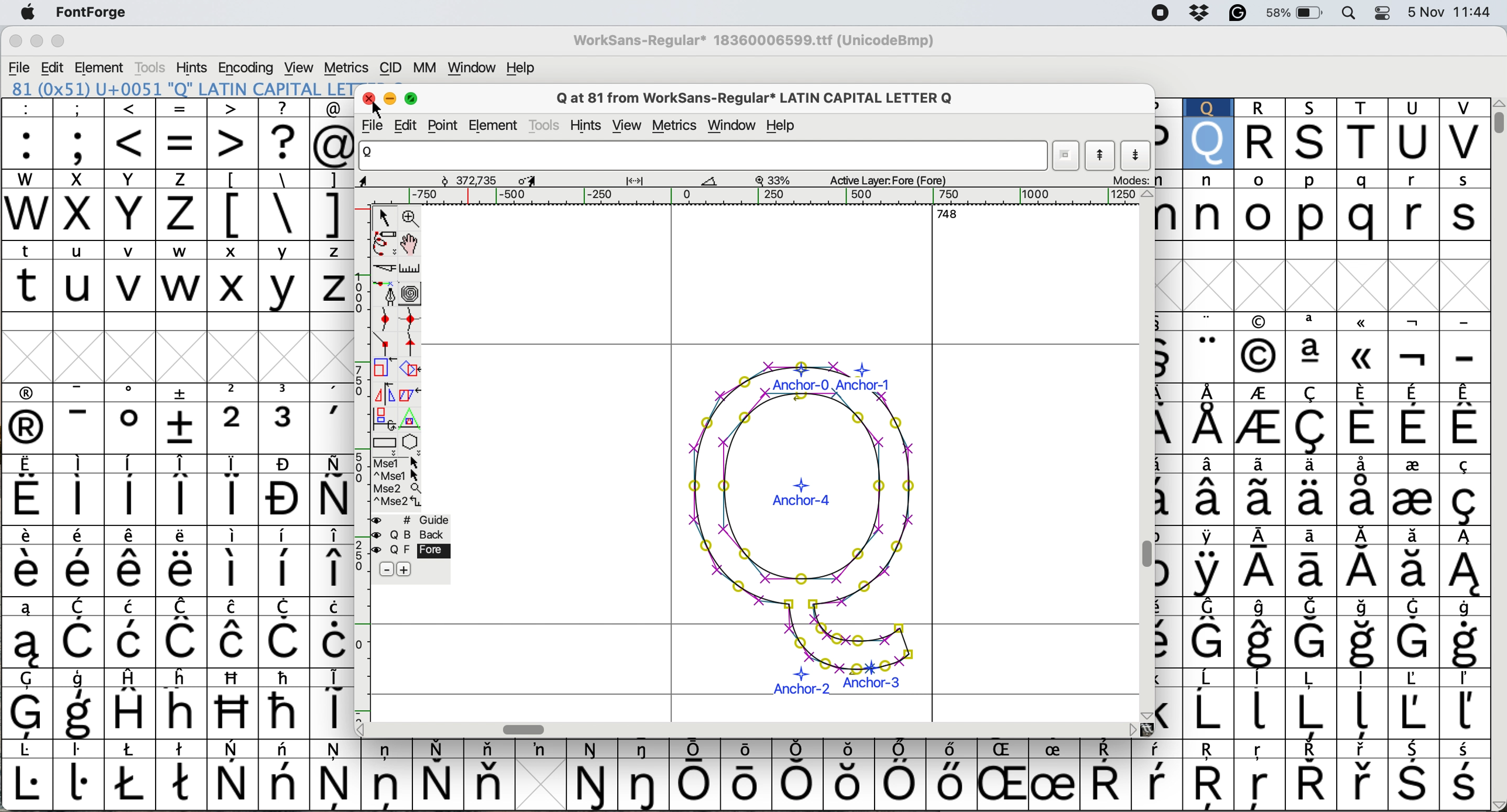 Image resolution: width=1507 pixels, height=812 pixels. What do you see at coordinates (381, 370) in the screenshot?
I see `scale the selection` at bounding box center [381, 370].